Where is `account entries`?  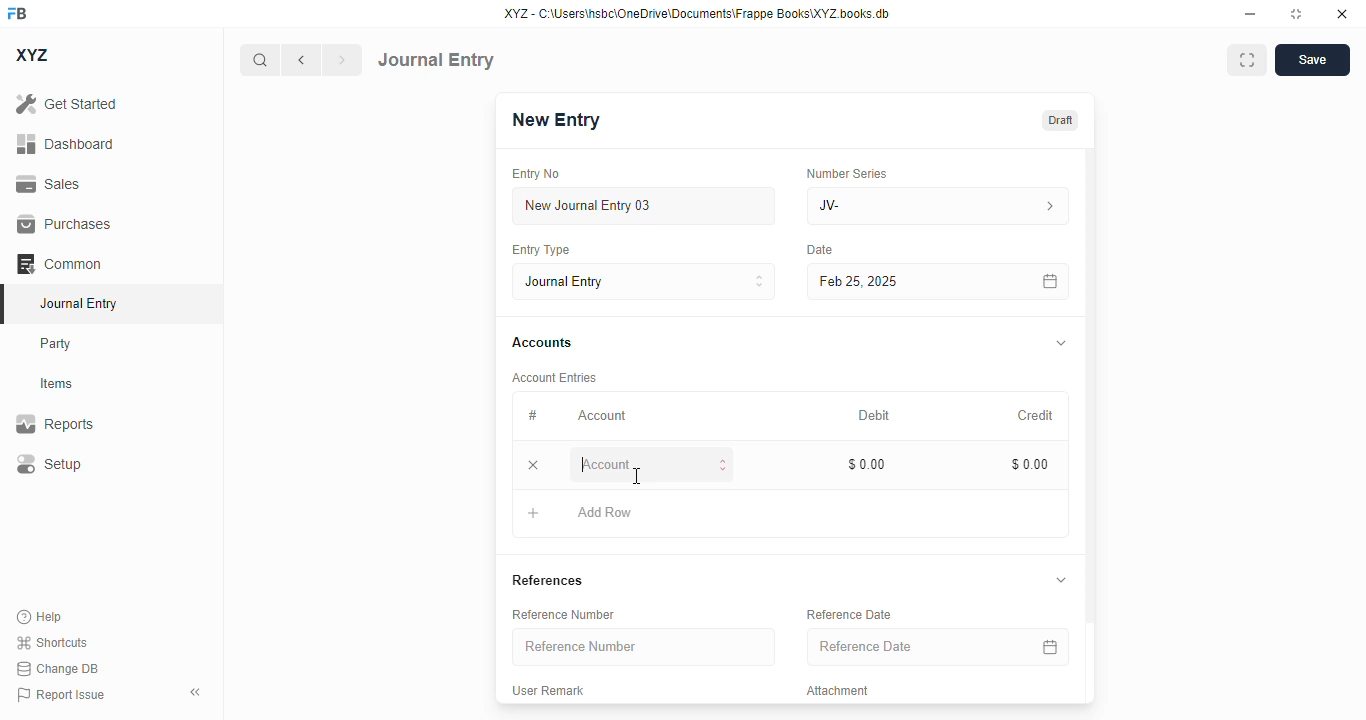
account entries is located at coordinates (554, 377).